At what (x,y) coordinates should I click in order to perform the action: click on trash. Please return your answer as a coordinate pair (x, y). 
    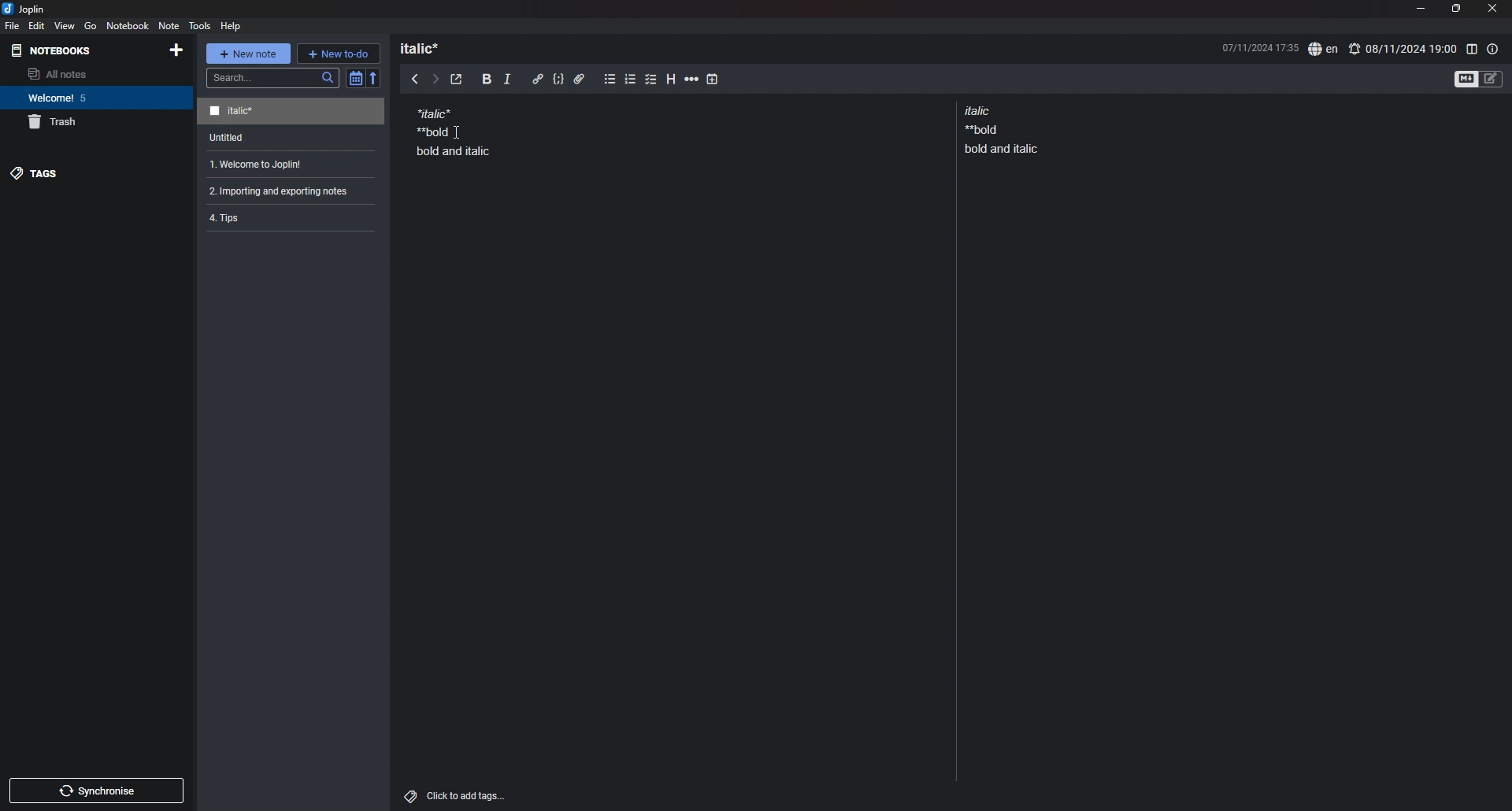
    Looking at the image, I should click on (97, 122).